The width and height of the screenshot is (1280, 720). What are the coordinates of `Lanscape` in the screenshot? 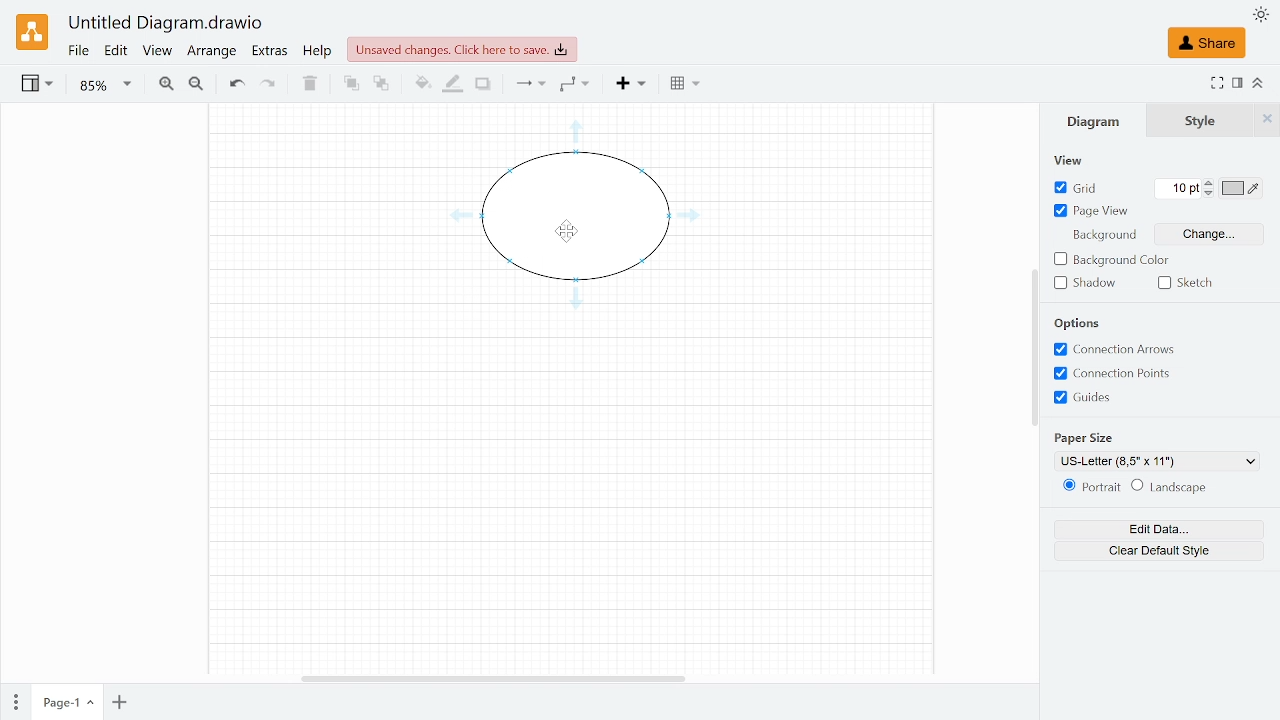 It's located at (1173, 487).